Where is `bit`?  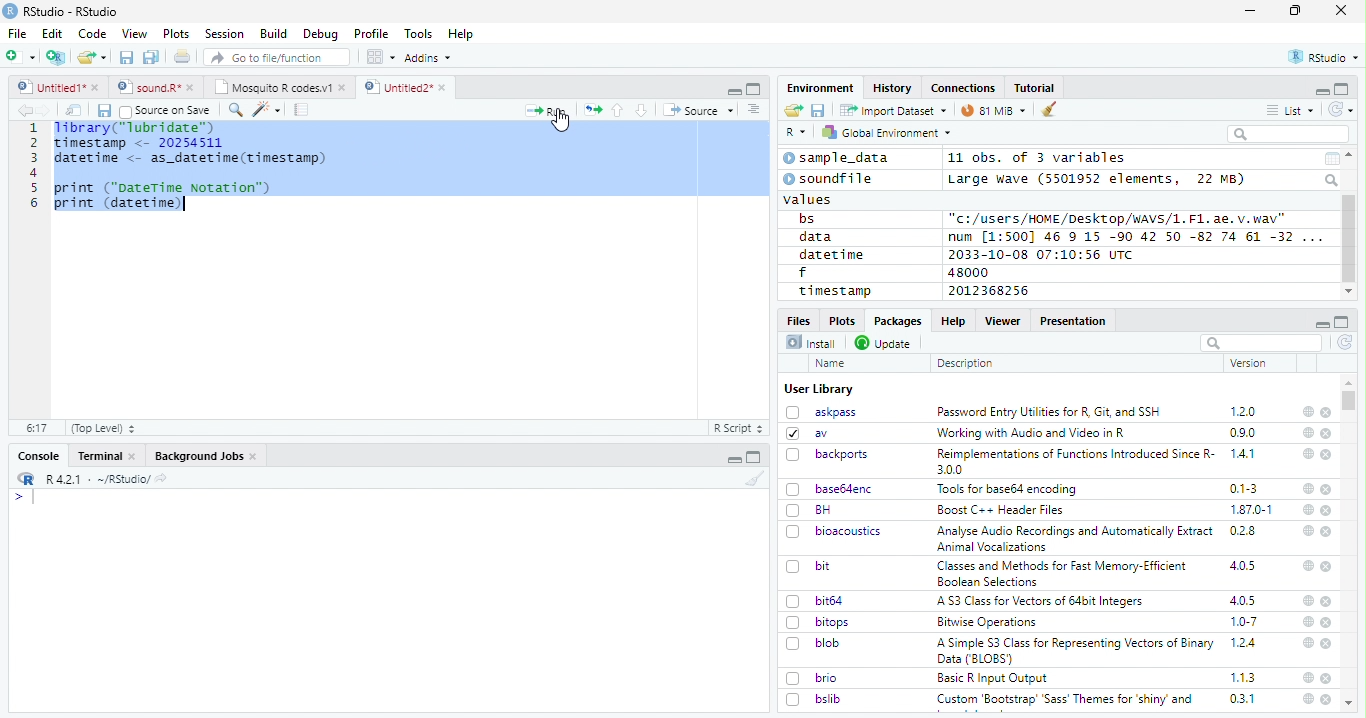 bit is located at coordinates (809, 567).